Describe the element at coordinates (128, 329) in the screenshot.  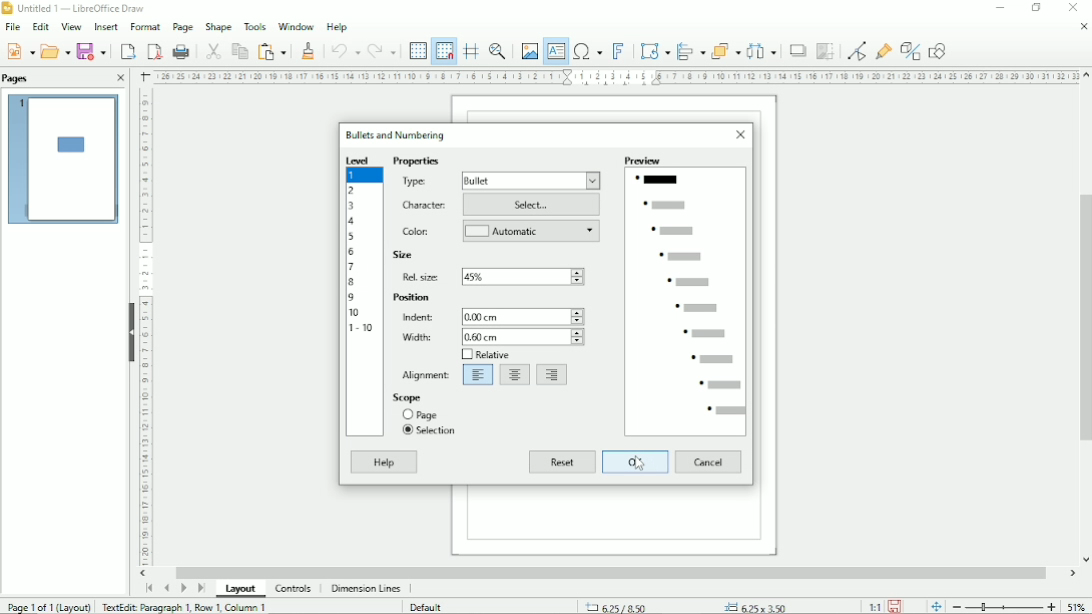
I see `Hide` at that location.